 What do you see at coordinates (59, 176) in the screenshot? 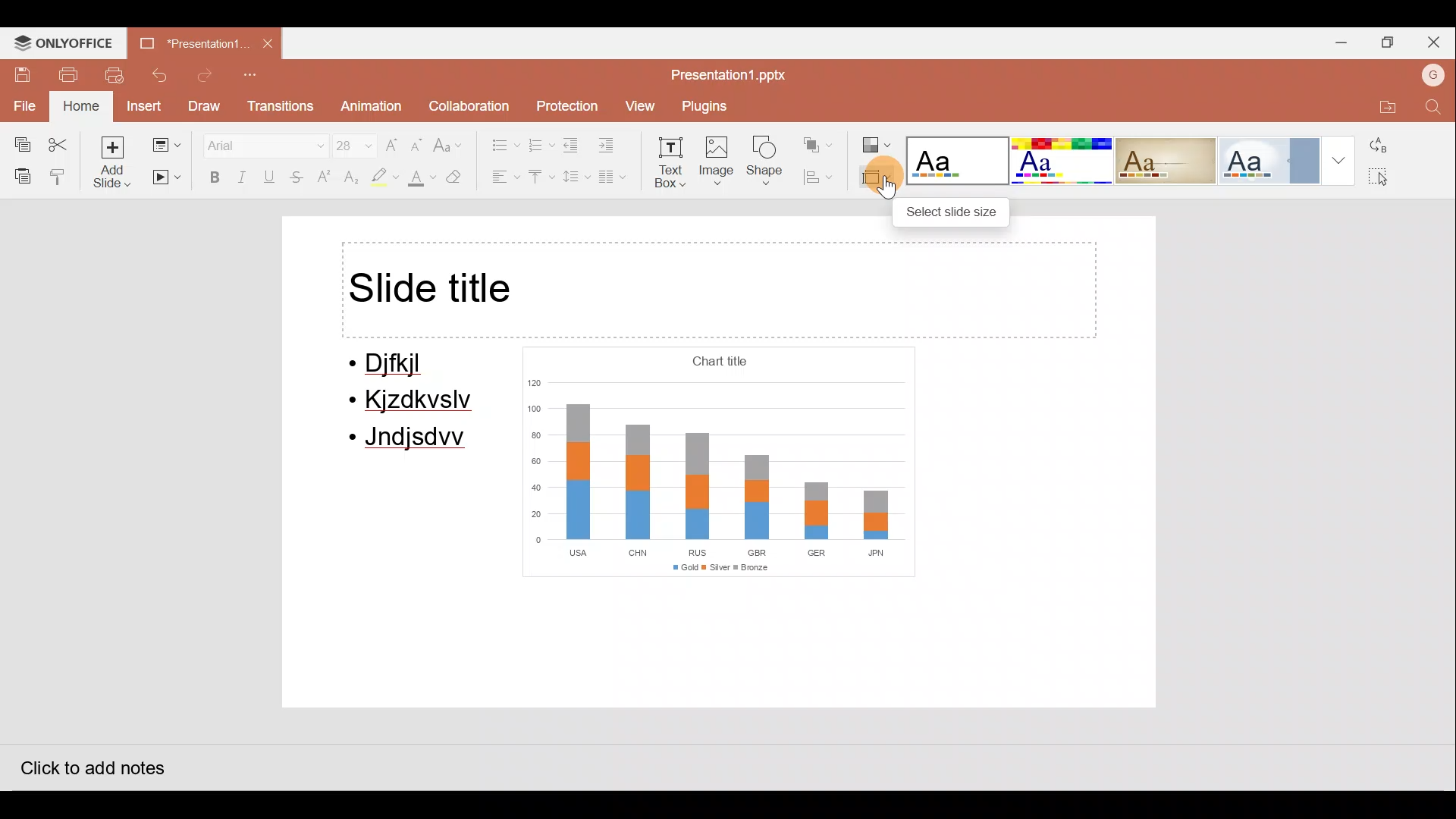
I see `Copy style` at bounding box center [59, 176].